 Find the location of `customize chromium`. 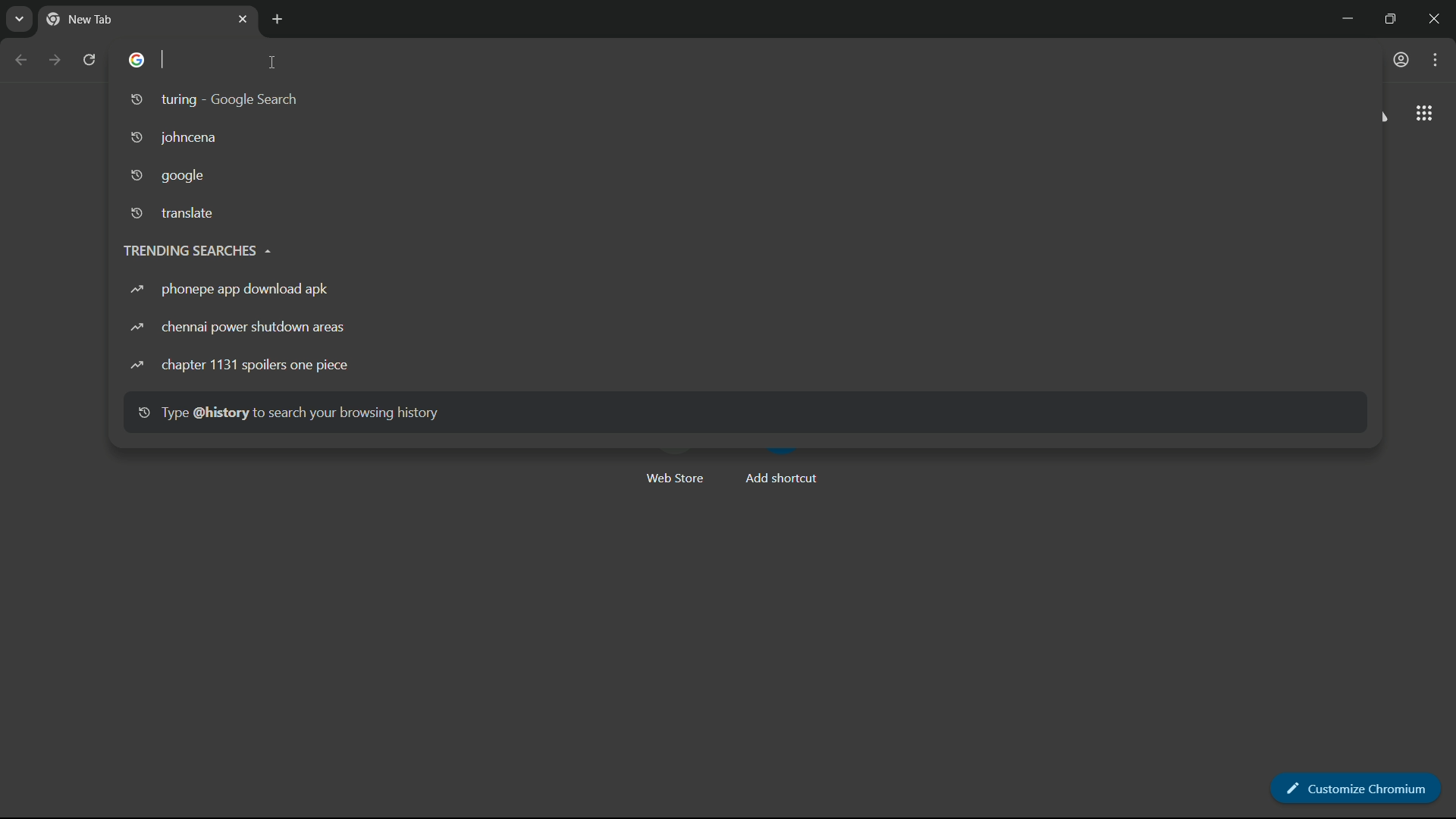

customize chromium is located at coordinates (1362, 787).